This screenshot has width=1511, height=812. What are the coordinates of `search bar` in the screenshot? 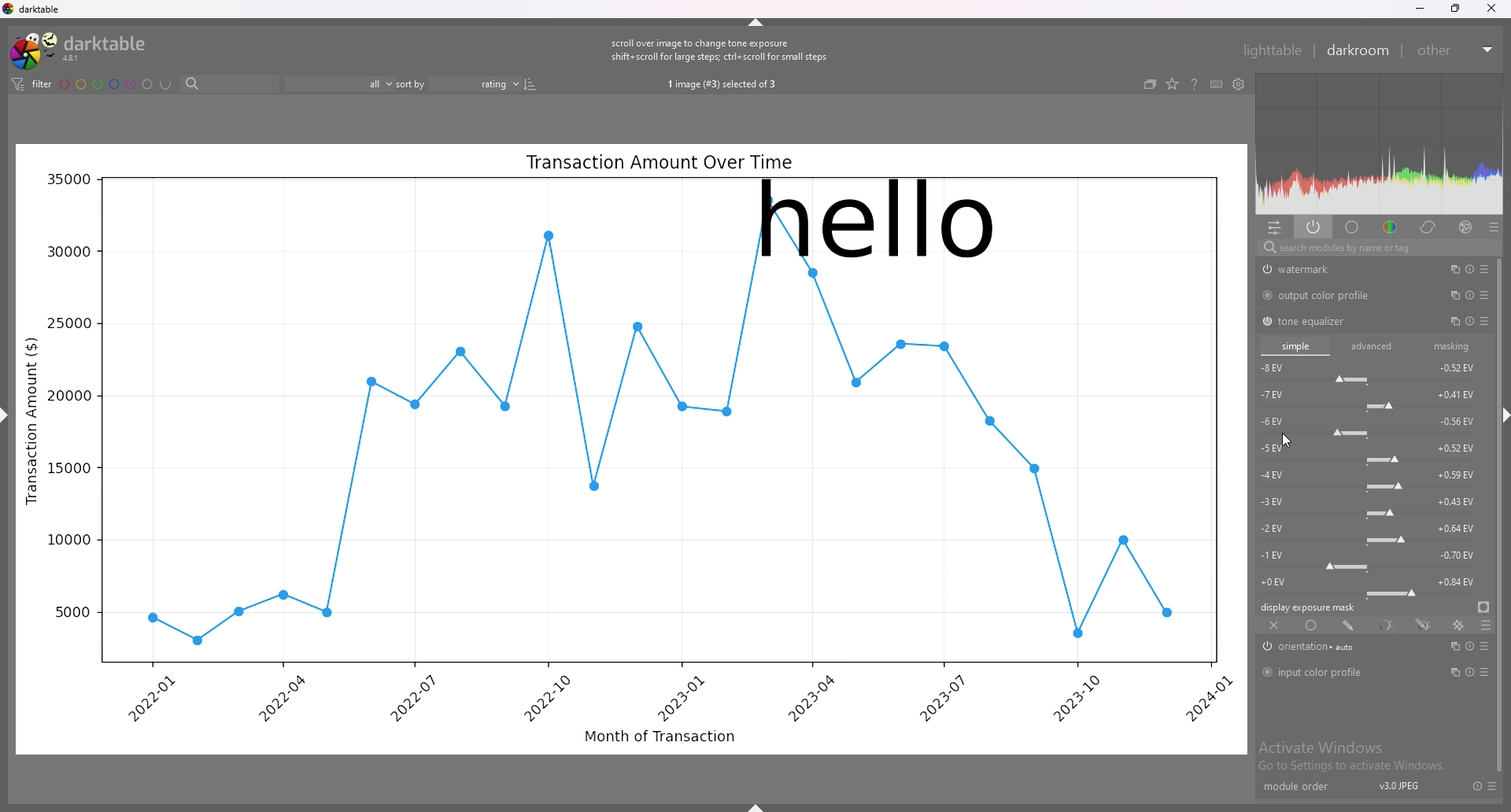 It's located at (231, 84).